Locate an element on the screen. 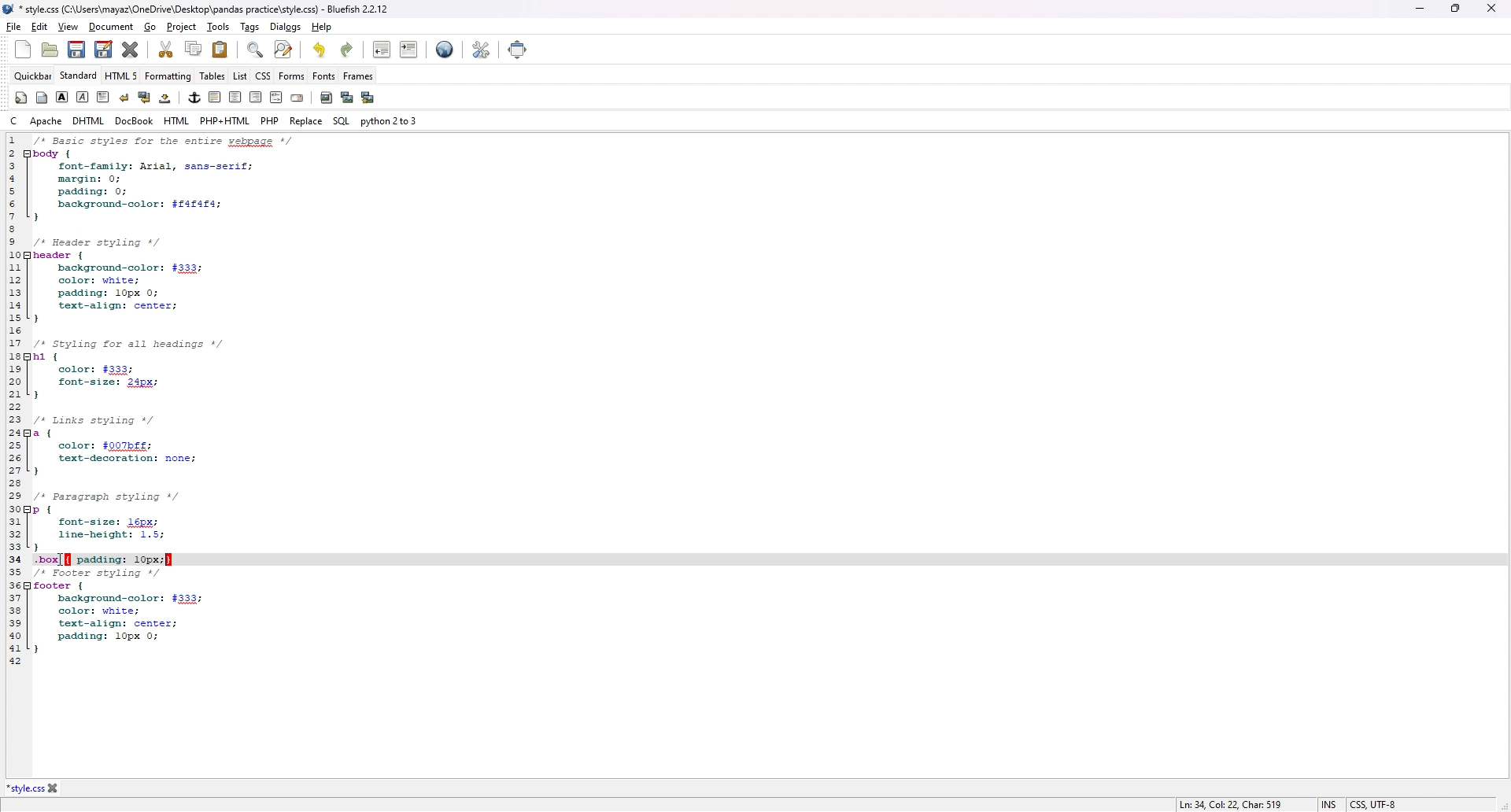 The width and height of the screenshot is (1511, 812). copy is located at coordinates (195, 49).